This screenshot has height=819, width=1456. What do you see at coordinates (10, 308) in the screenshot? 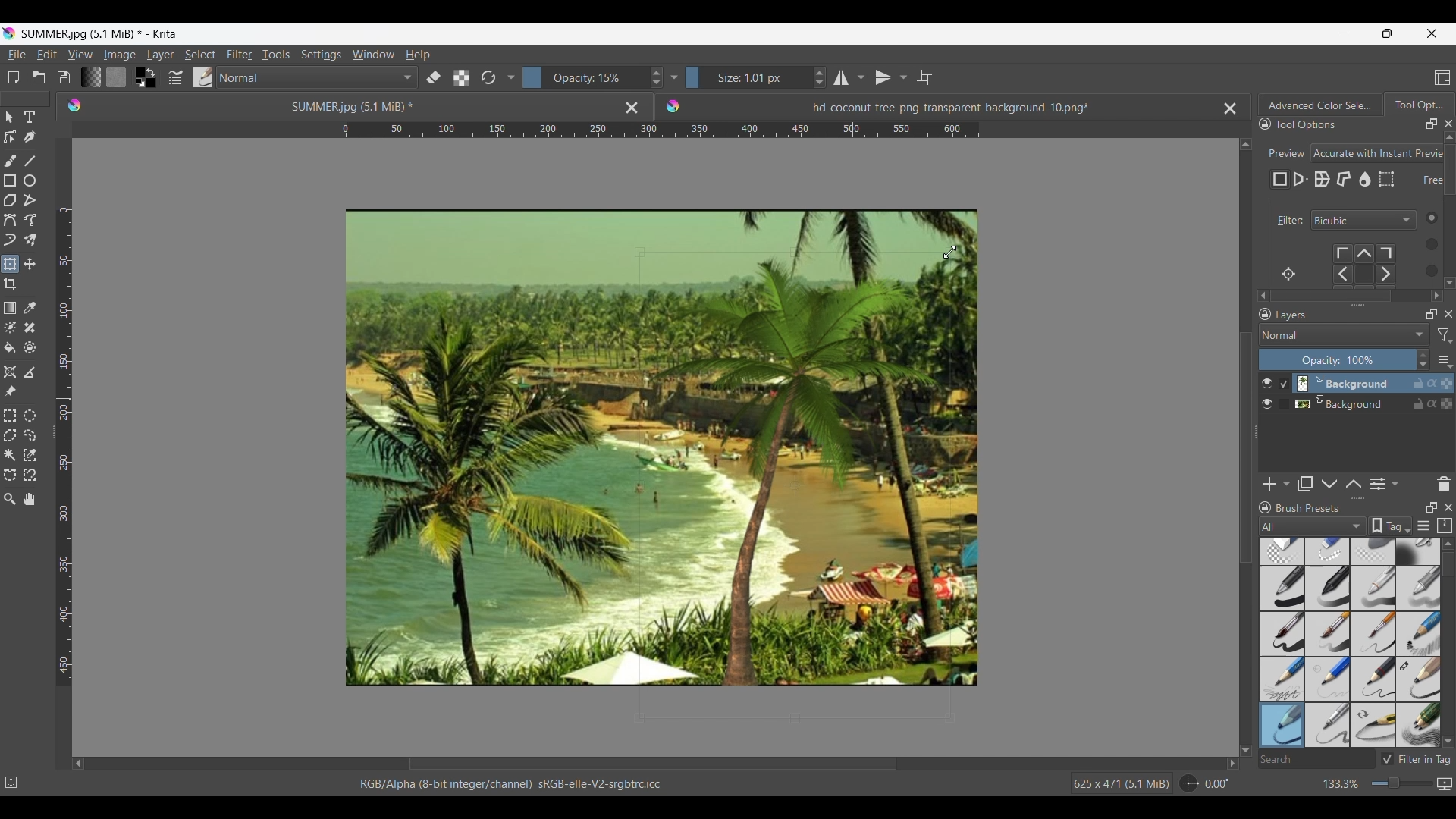
I see `Gradient tool` at bounding box center [10, 308].